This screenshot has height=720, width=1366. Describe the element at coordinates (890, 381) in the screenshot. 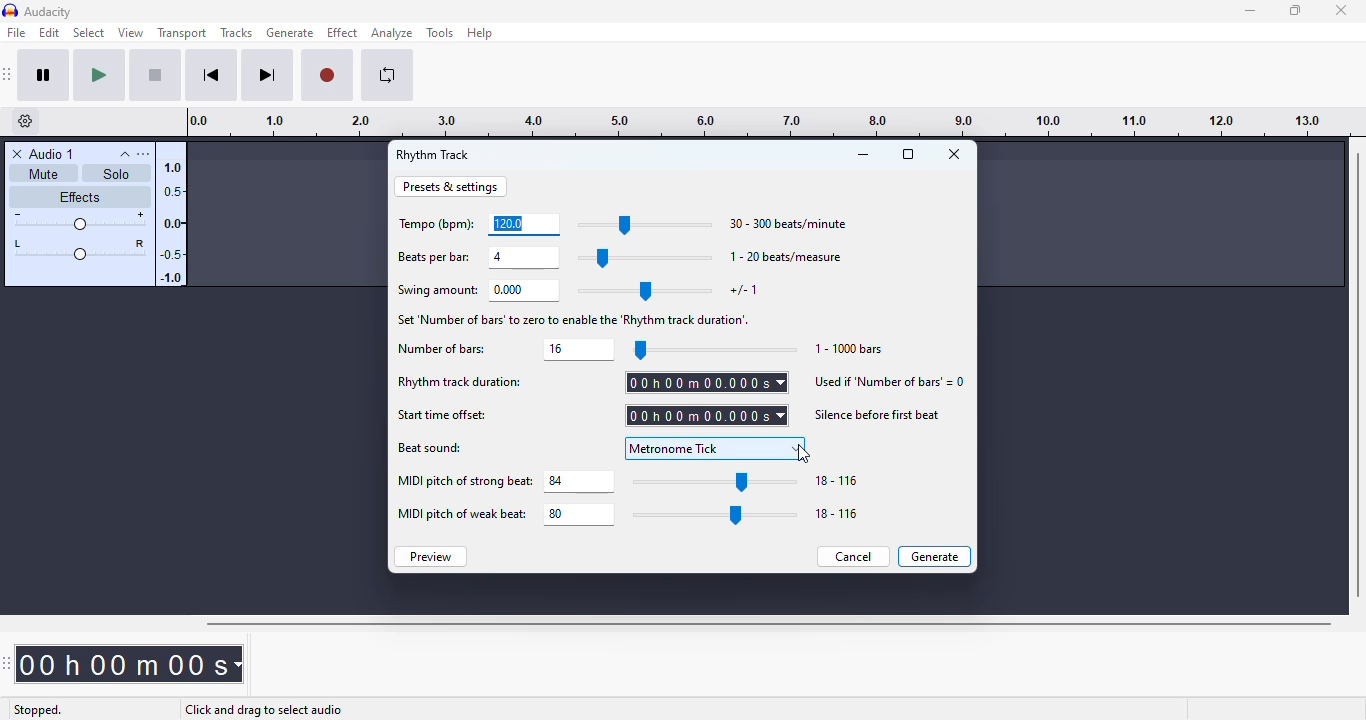

I see `used if 'number of bars'=0` at that location.